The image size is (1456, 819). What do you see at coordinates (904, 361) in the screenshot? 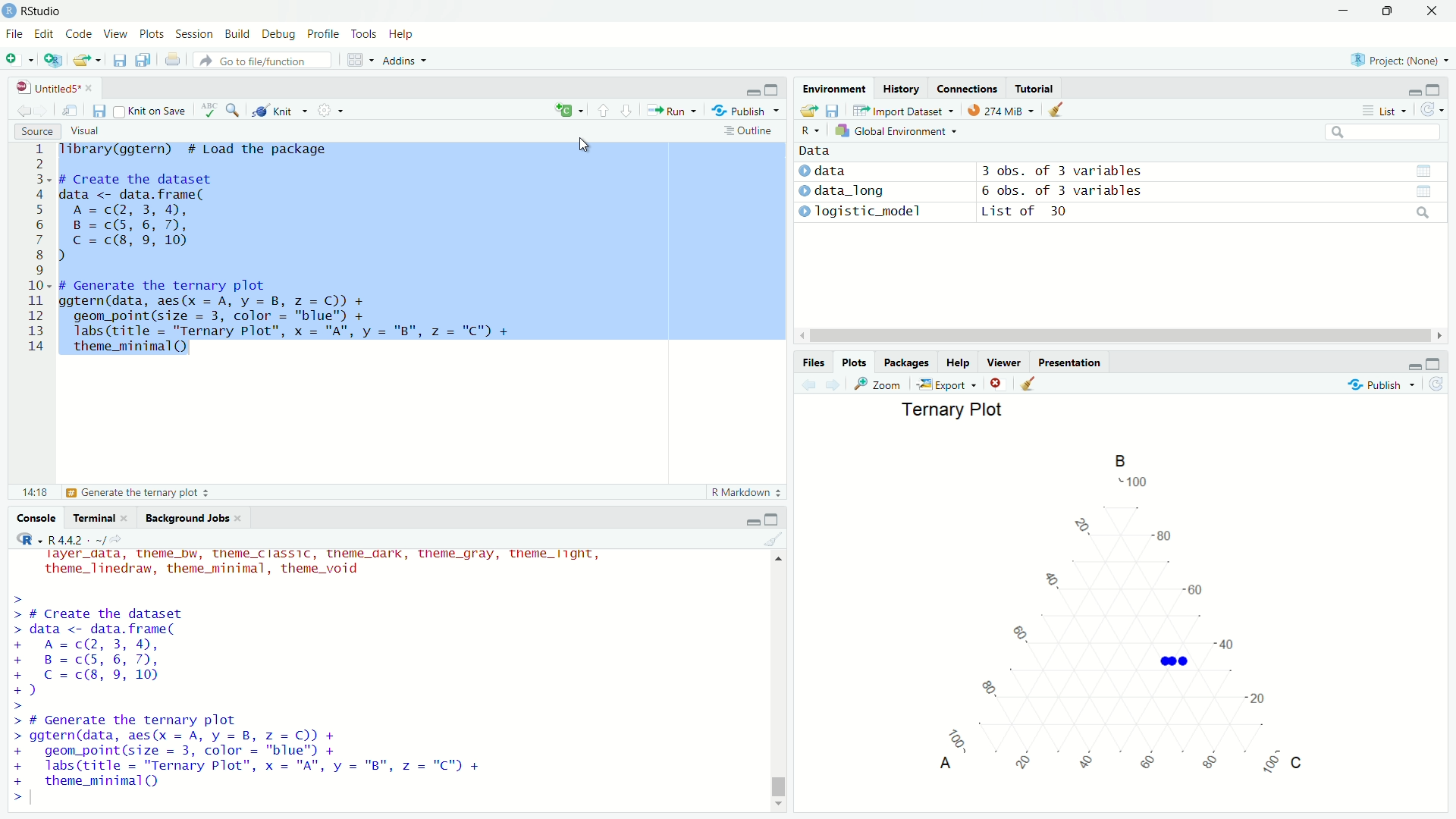
I see `Packages` at bounding box center [904, 361].